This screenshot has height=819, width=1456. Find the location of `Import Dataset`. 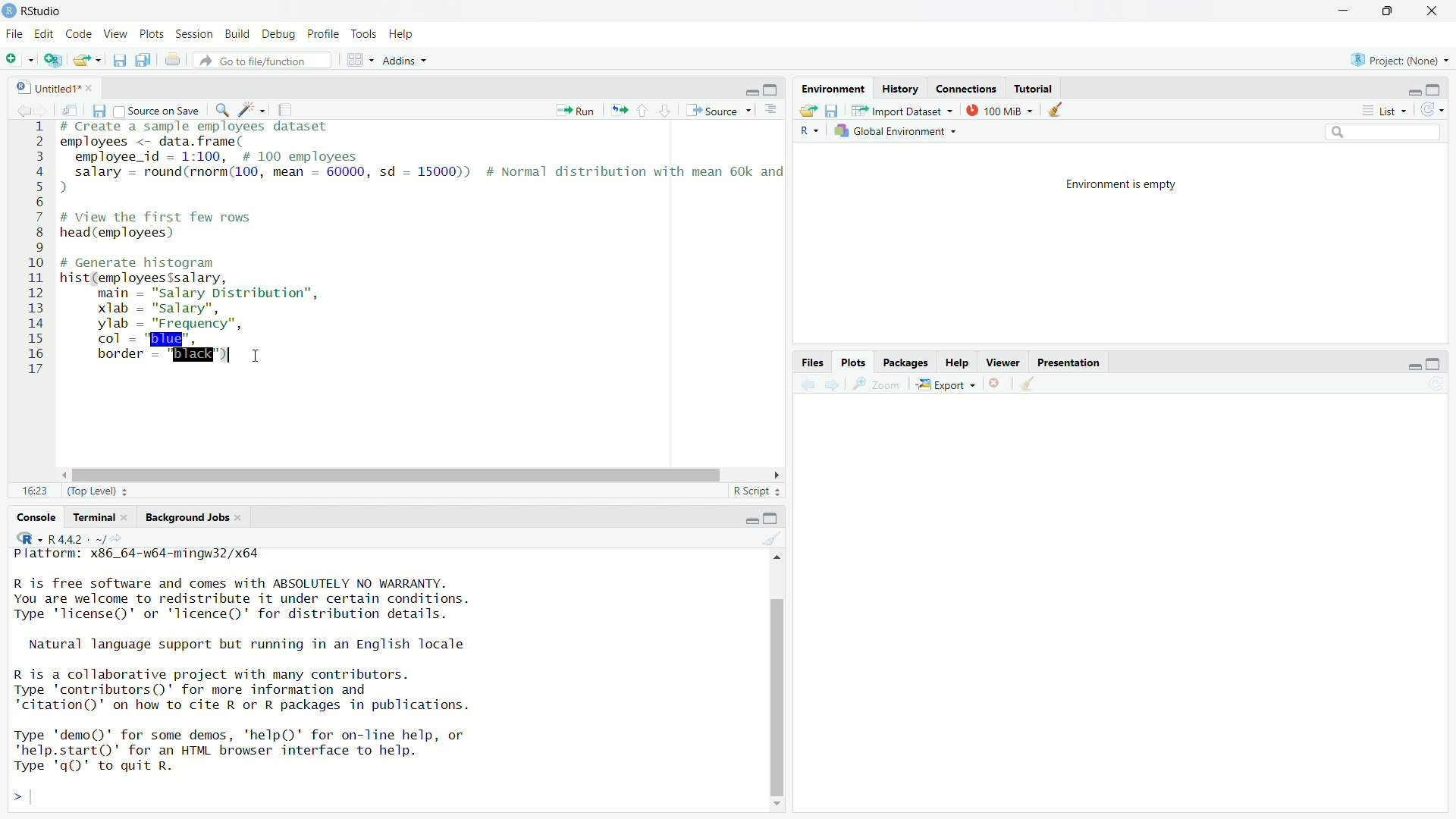

Import Dataset is located at coordinates (904, 110).